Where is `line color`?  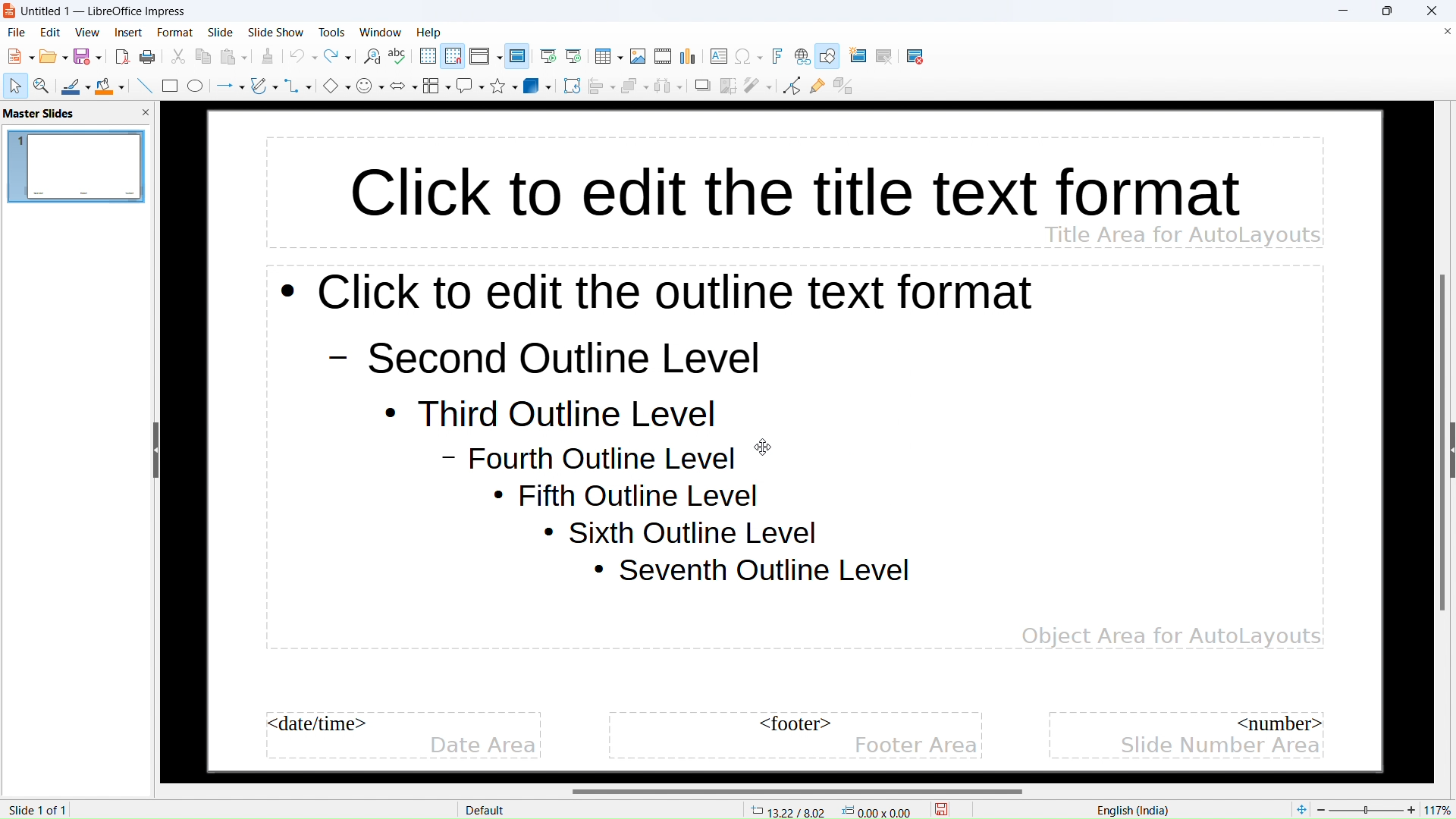
line color is located at coordinates (77, 85).